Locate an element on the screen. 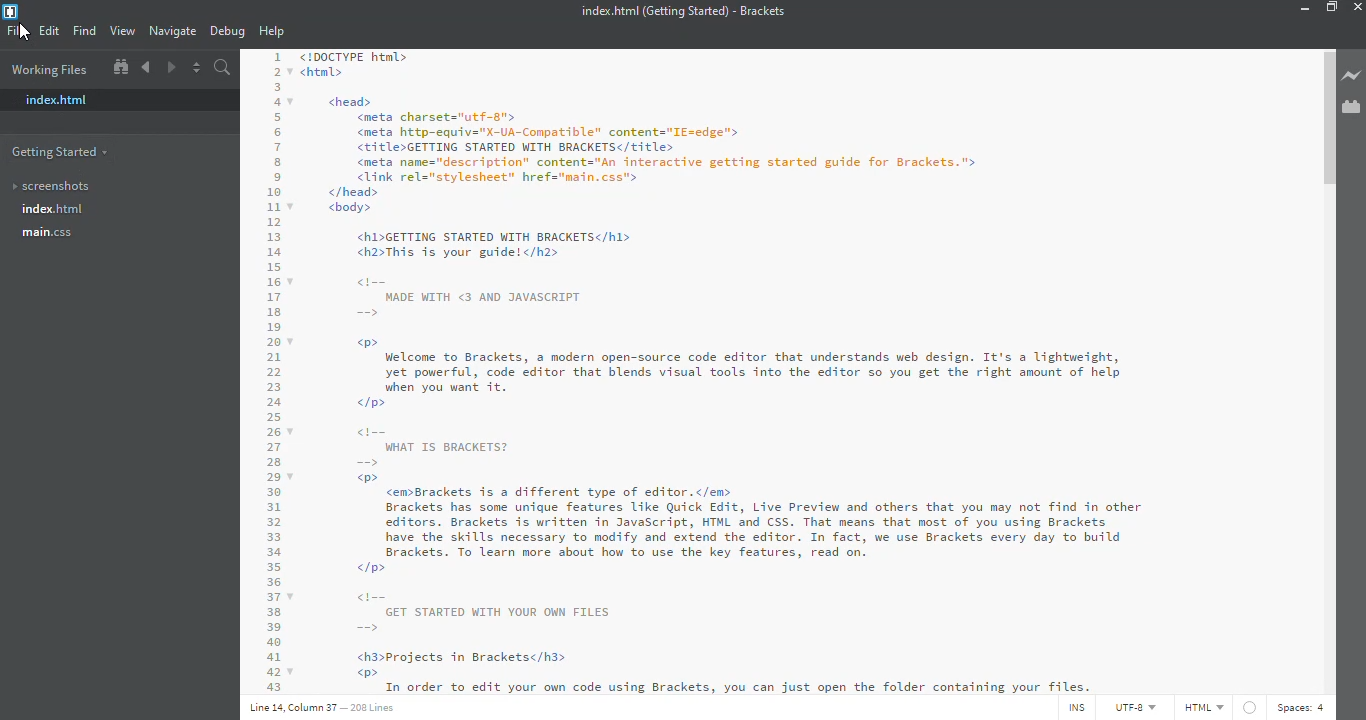 The height and width of the screenshot is (720, 1366). spaces is located at coordinates (1305, 707).